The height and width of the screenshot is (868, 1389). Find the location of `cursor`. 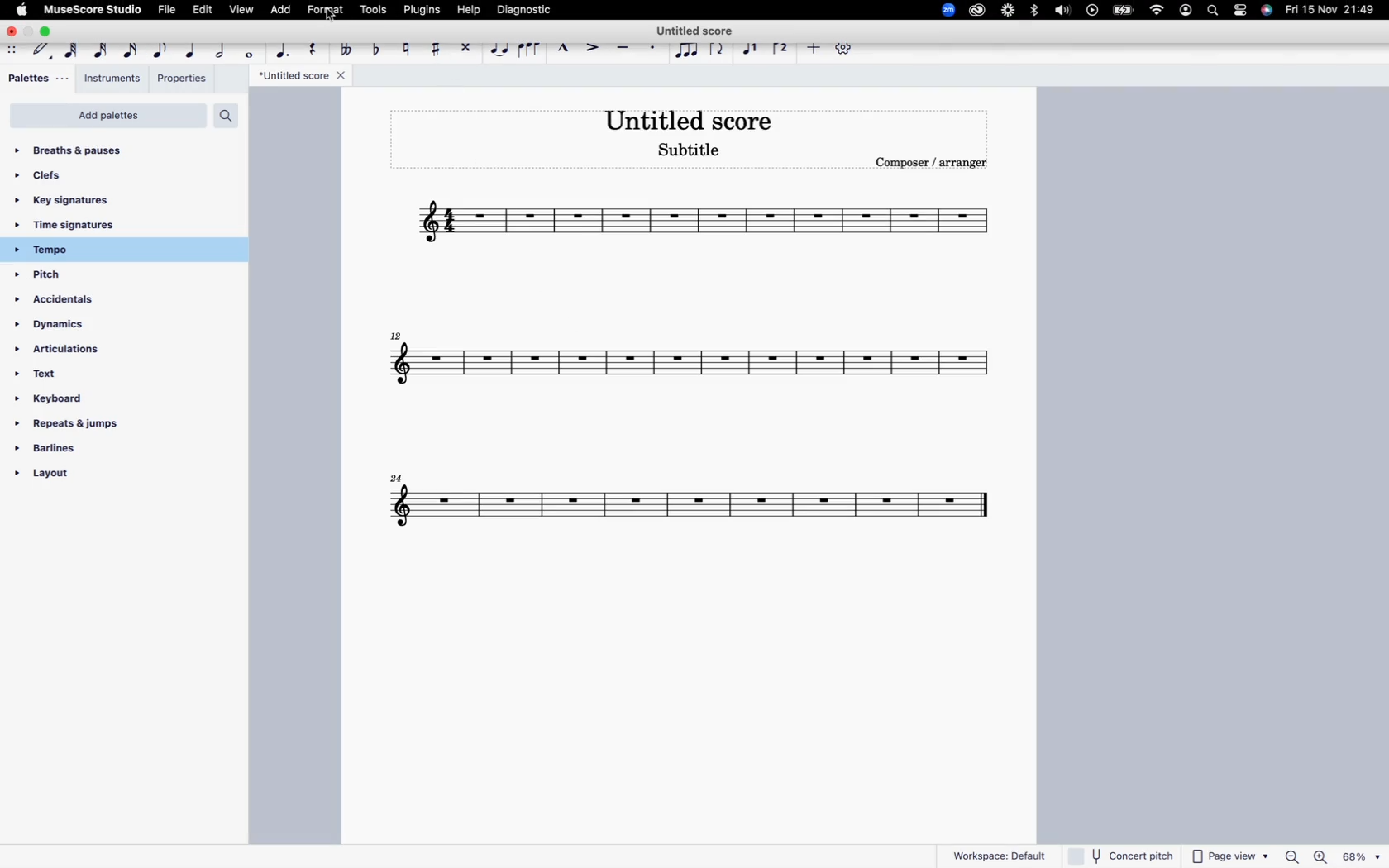

cursor is located at coordinates (324, 21).